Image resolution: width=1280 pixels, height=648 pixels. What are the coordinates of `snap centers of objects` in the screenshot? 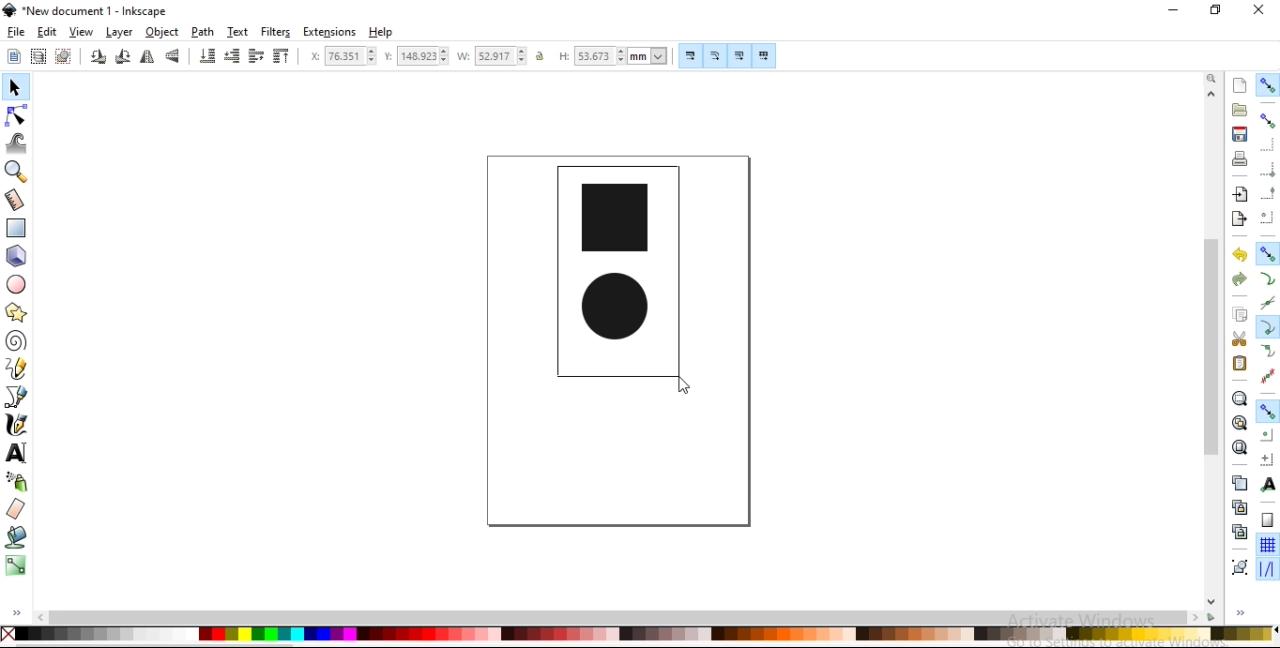 It's located at (1267, 436).